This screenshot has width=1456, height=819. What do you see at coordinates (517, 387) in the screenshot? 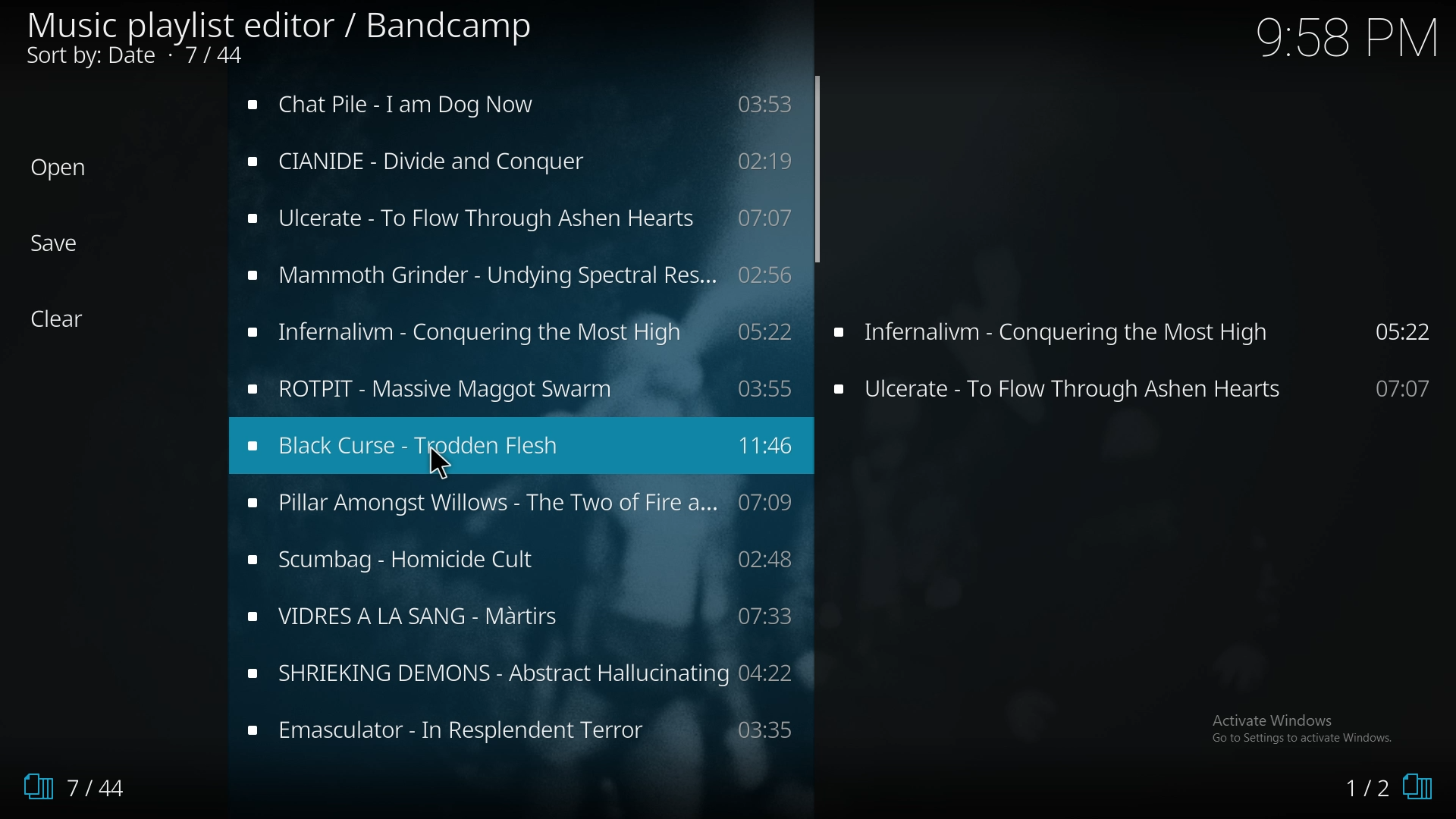
I see `music` at bounding box center [517, 387].